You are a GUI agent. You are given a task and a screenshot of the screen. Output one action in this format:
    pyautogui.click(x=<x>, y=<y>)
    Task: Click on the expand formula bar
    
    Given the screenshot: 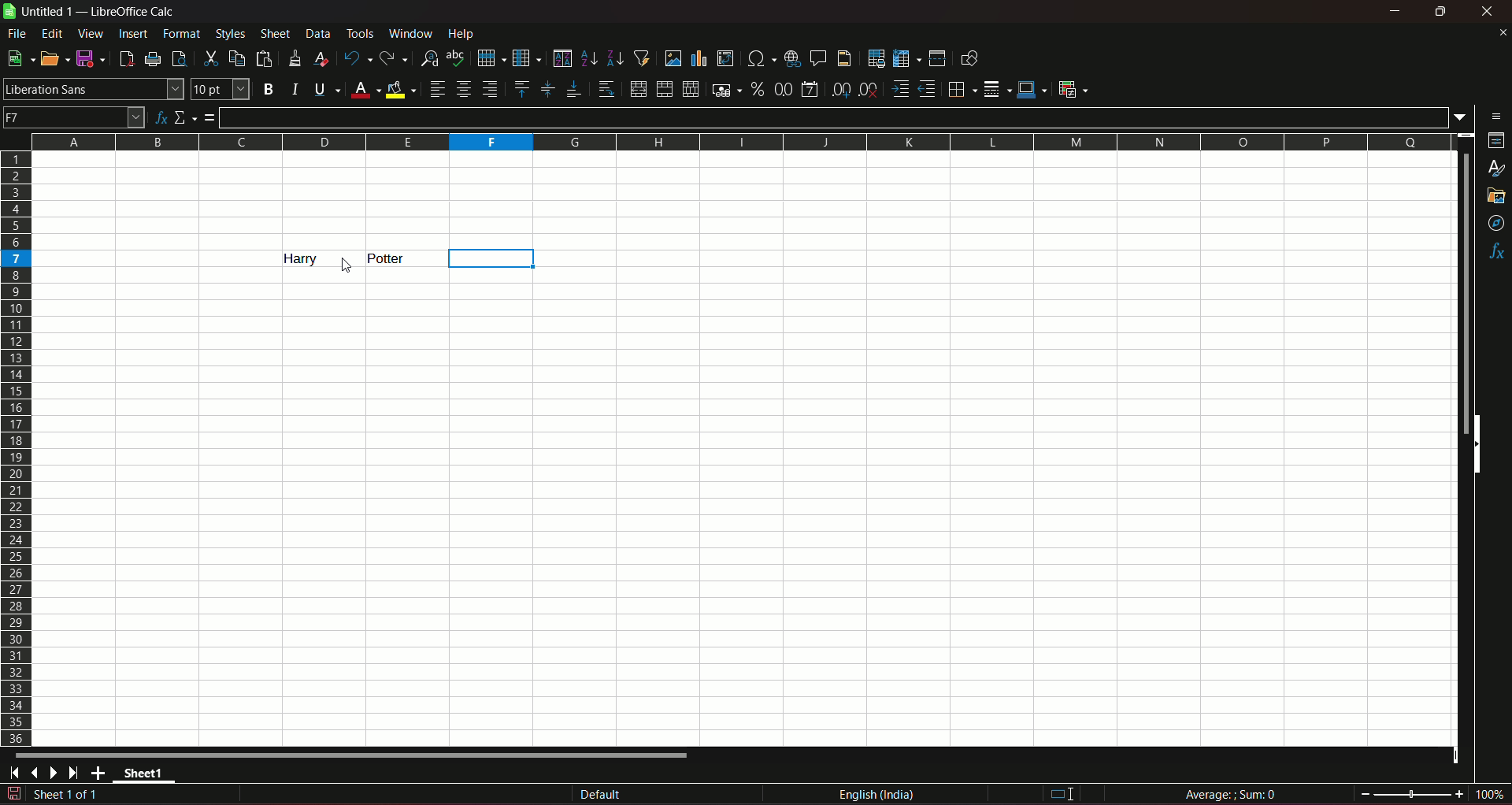 What is the action you would take?
    pyautogui.click(x=1464, y=116)
    